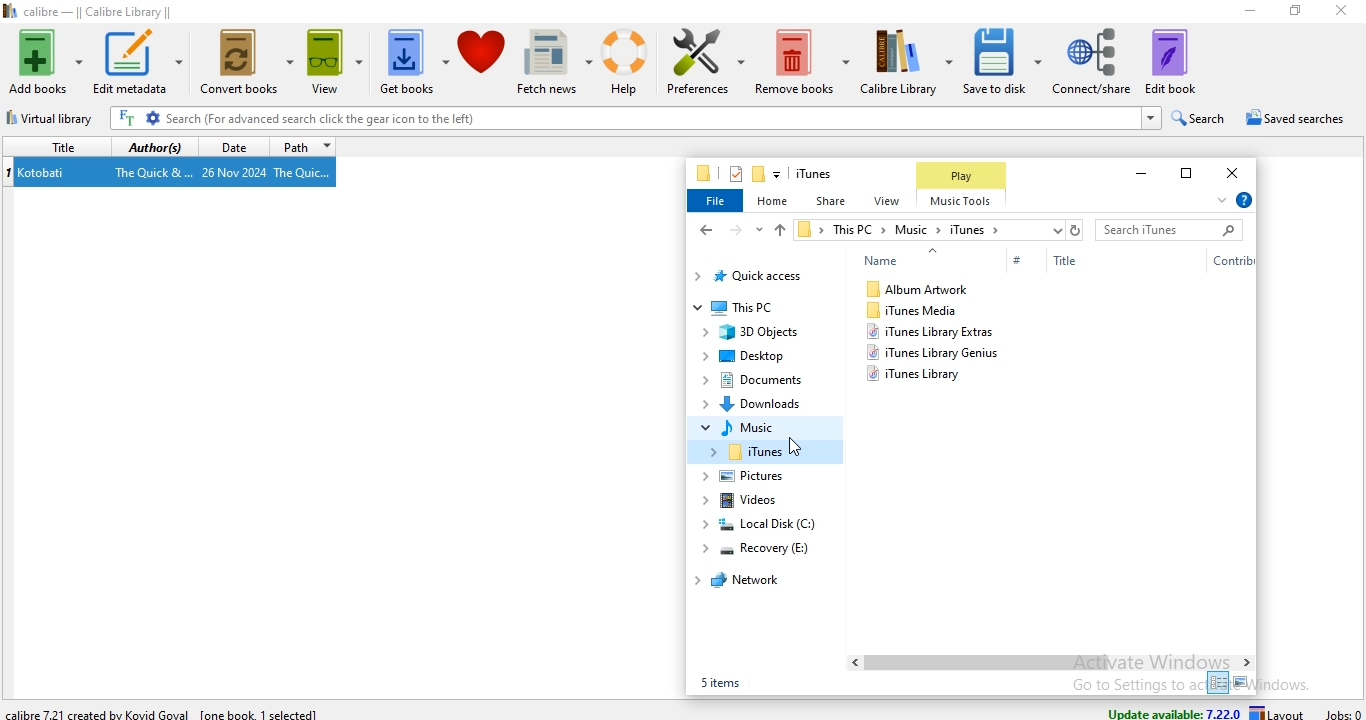  What do you see at coordinates (624, 61) in the screenshot?
I see `help` at bounding box center [624, 61].